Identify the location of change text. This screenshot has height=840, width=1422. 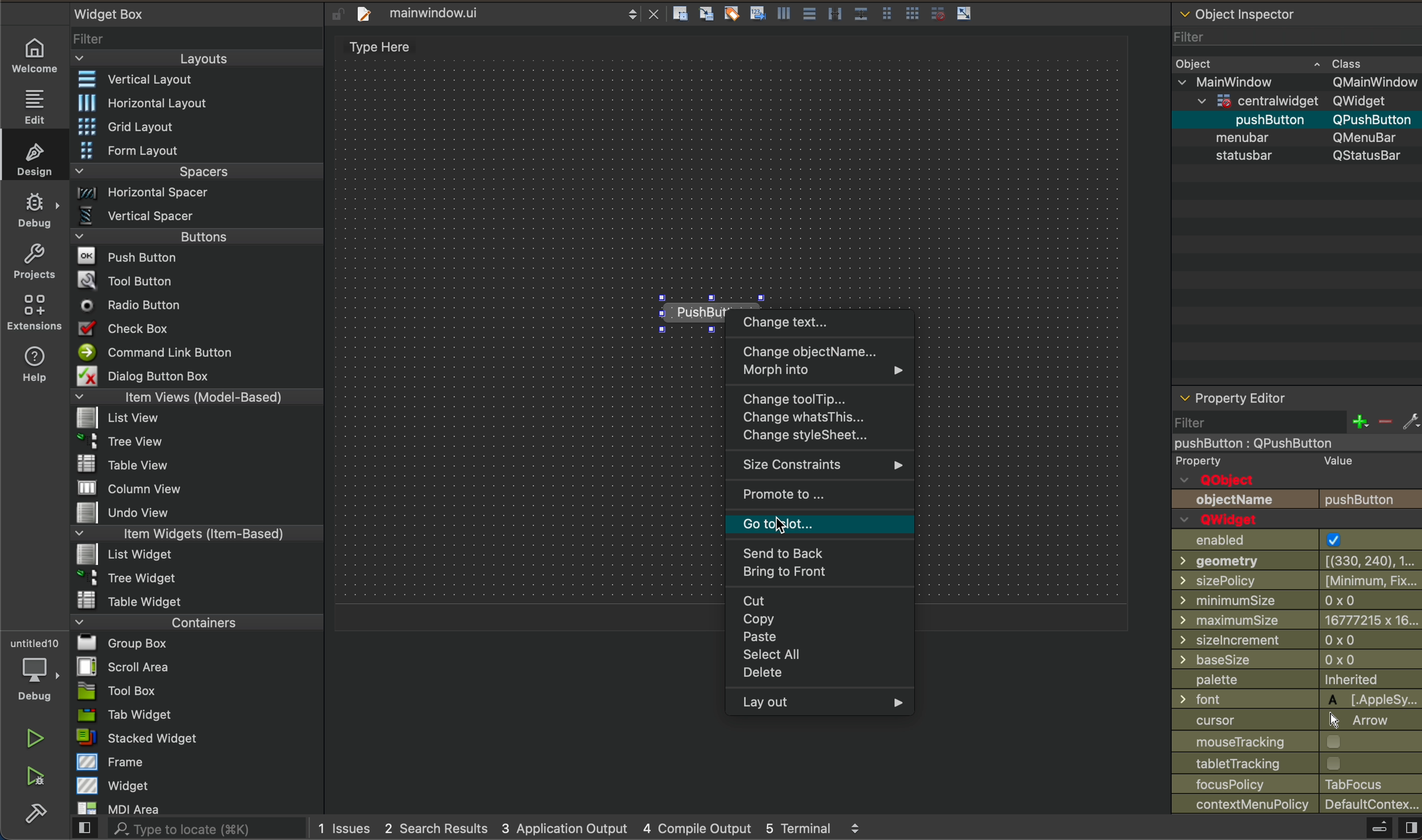
(823, 323).